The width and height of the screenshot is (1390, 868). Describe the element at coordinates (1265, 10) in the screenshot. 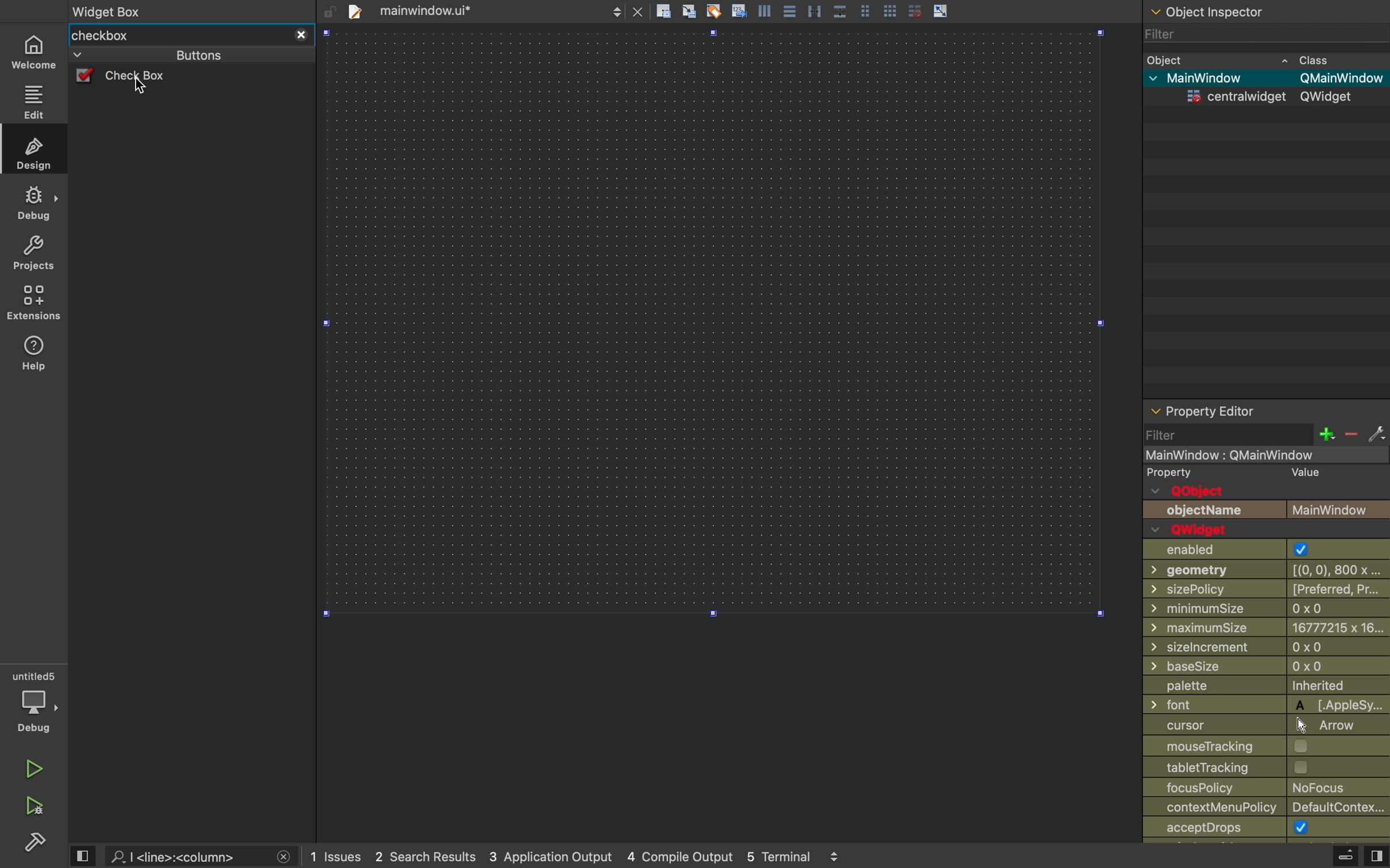

I see `object inspector` at that location.